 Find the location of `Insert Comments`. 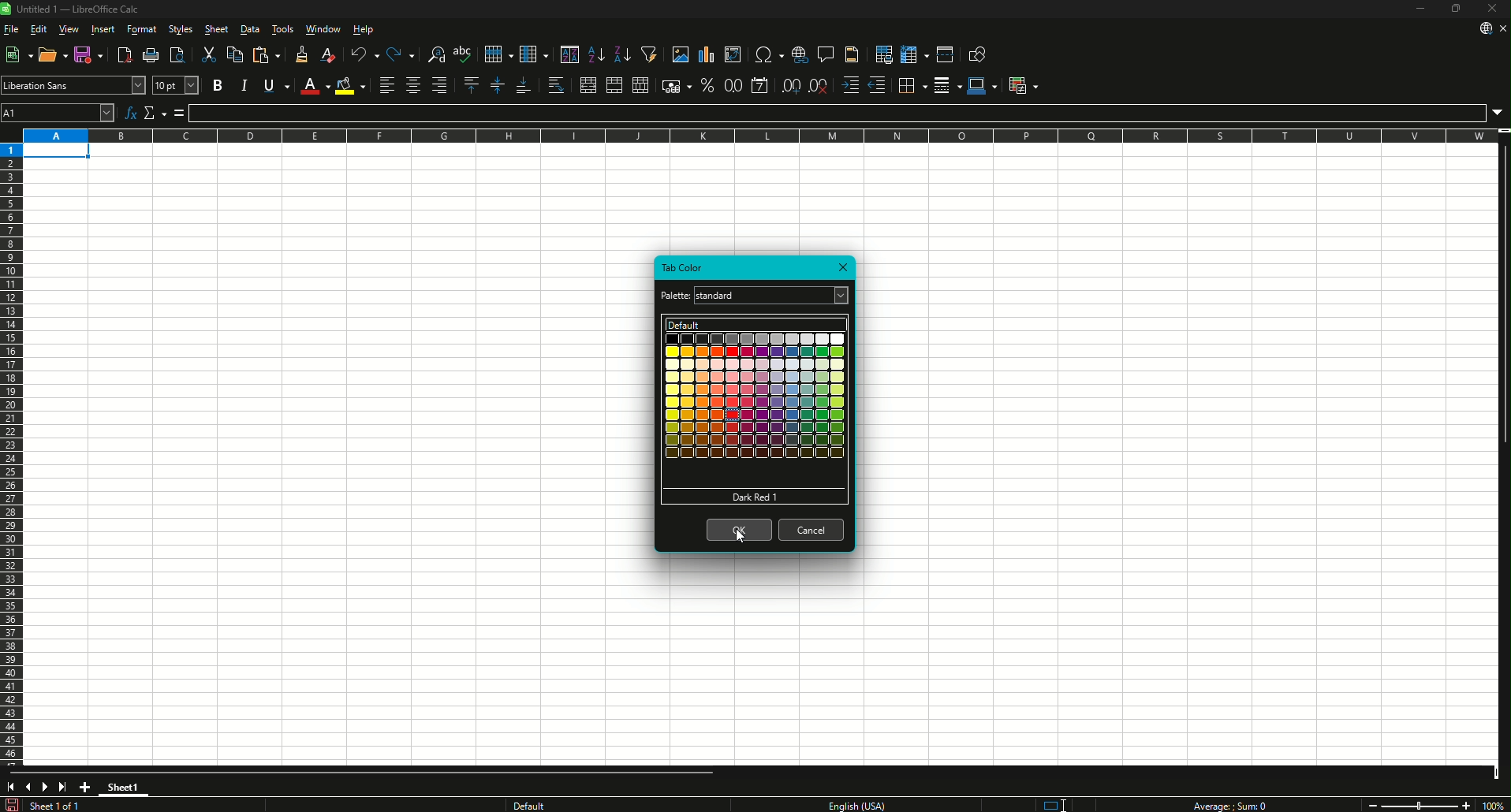

Insert Comments is located at coordinates (826, 54).